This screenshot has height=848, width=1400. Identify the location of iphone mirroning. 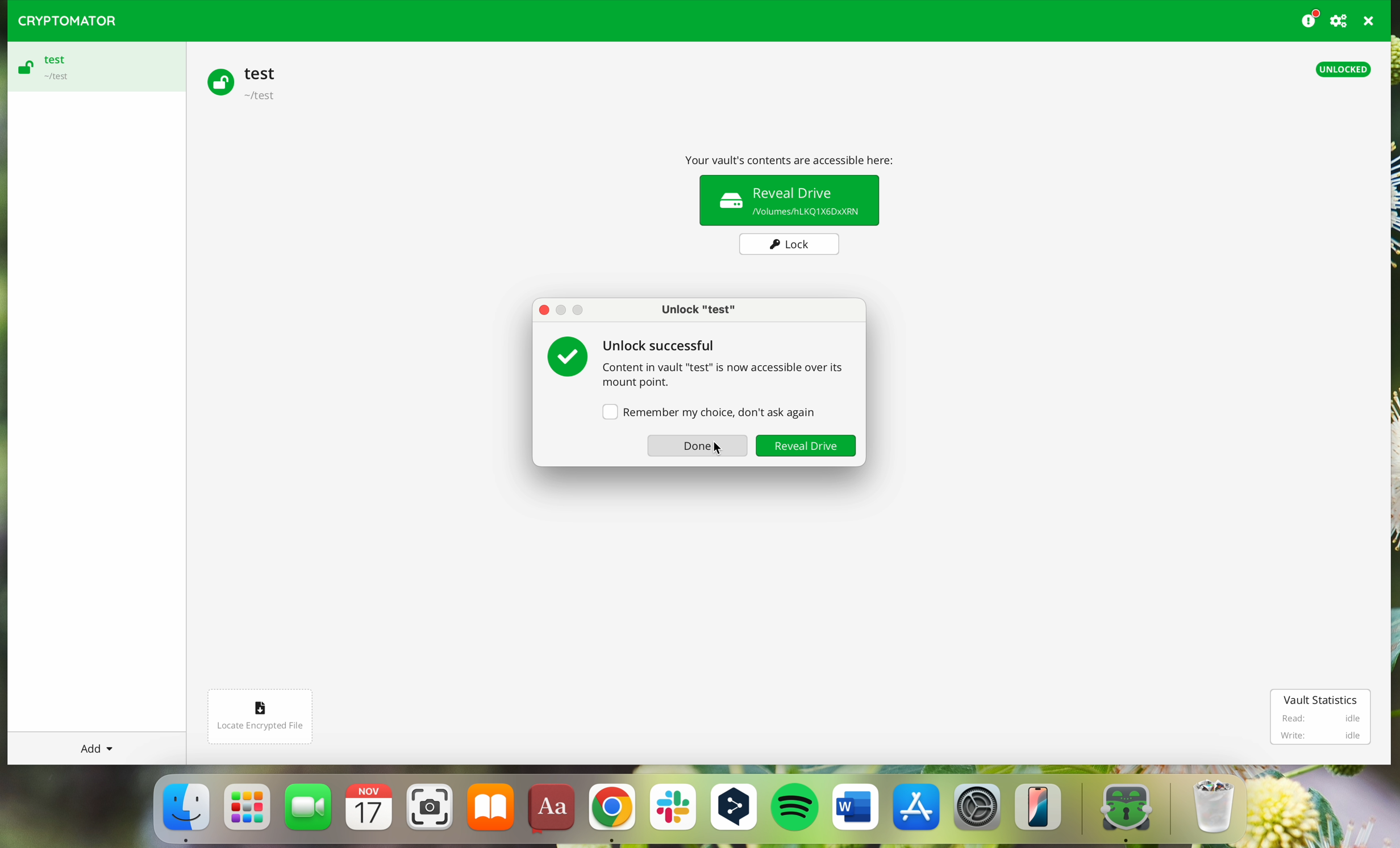
(1041, 811).